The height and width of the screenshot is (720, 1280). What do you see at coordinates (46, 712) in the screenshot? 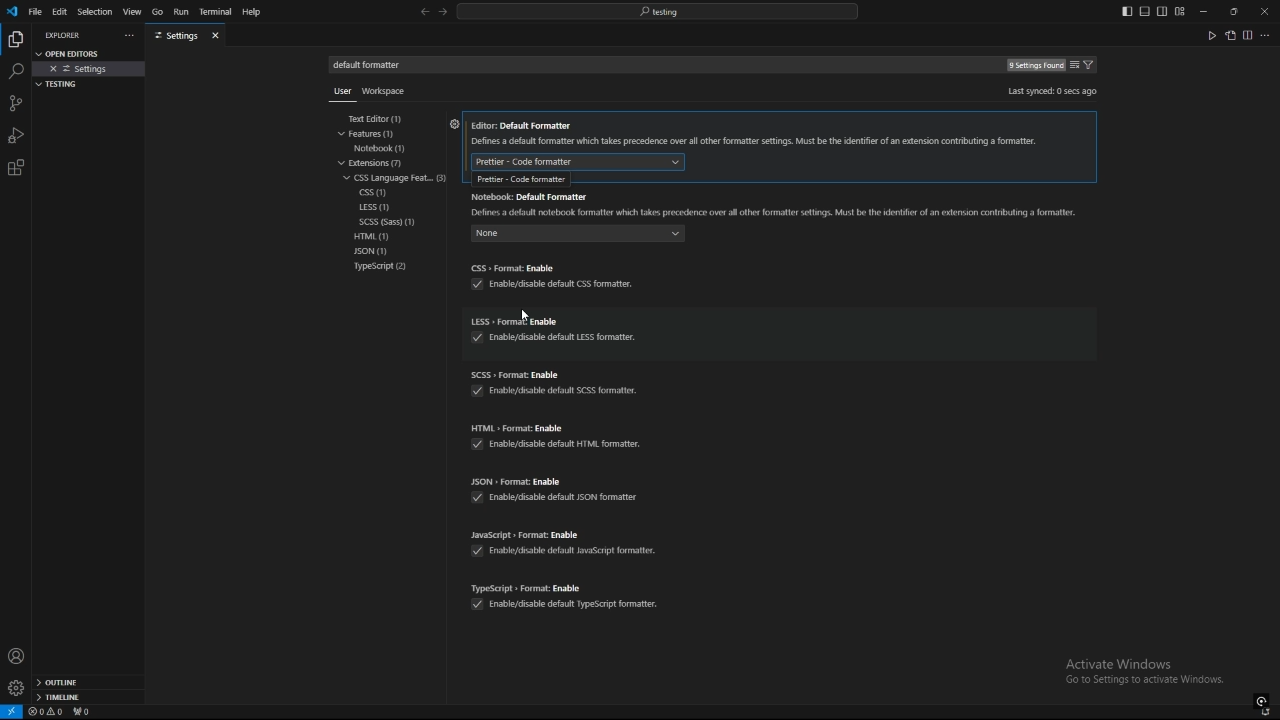
I see `errors` at bounding box center [46, 712].